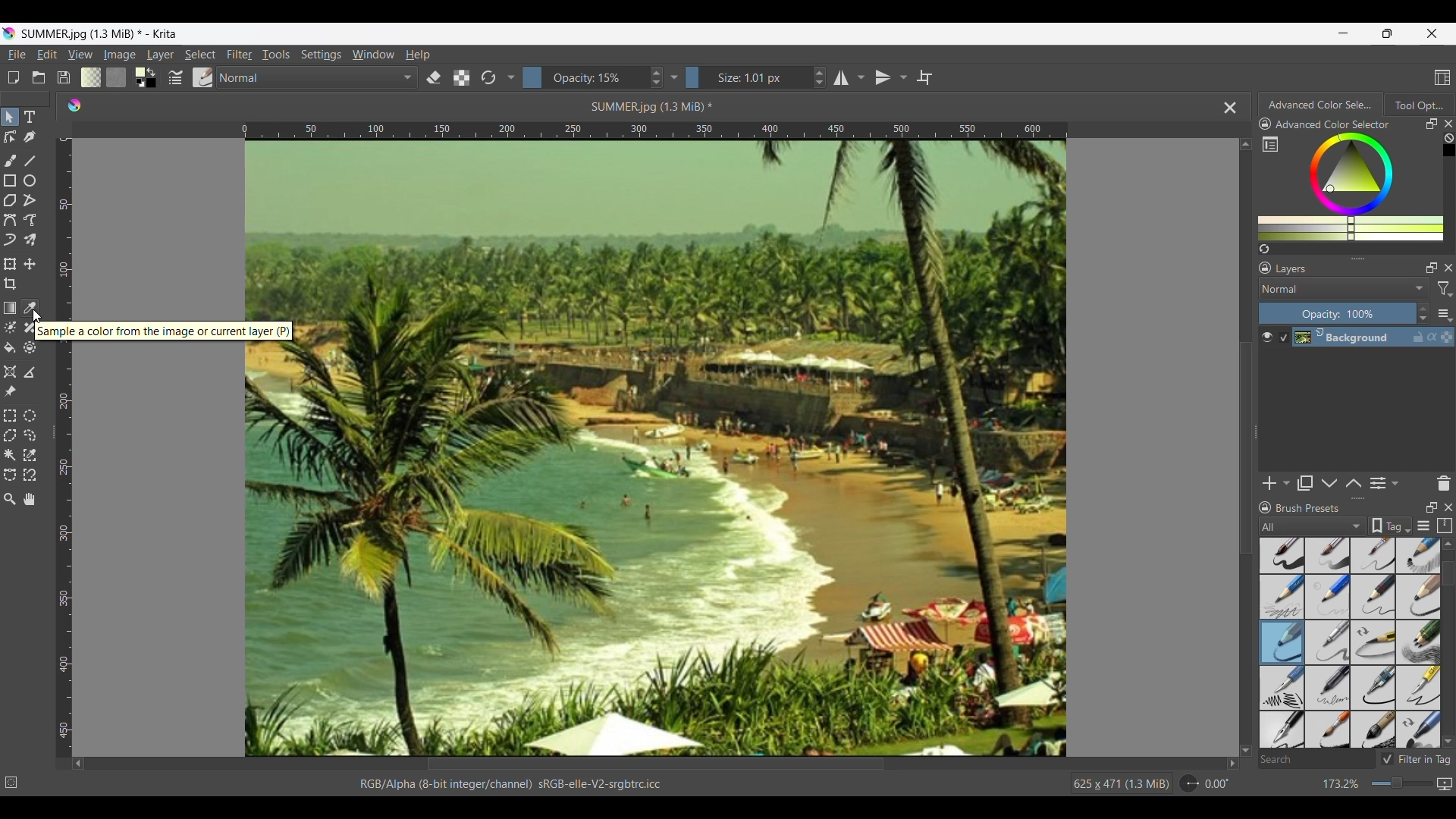 Image resolution: width=1456 pixels, height=819 pixels. Describe the element at coordinates (1444, 314) in the screenshot. I see `Layer settings` at that location.